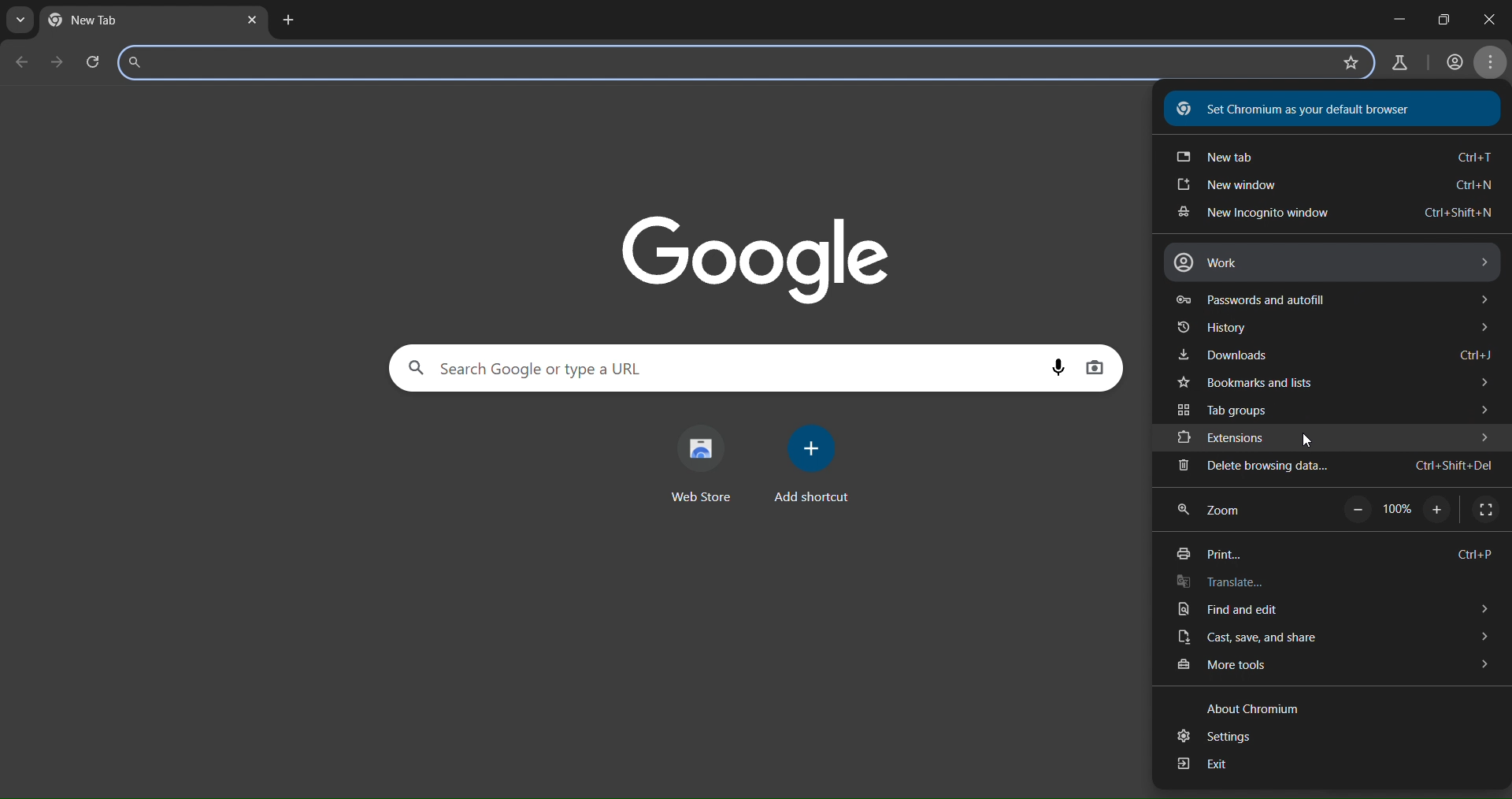  I want to click on new window, so click(1336, 185).